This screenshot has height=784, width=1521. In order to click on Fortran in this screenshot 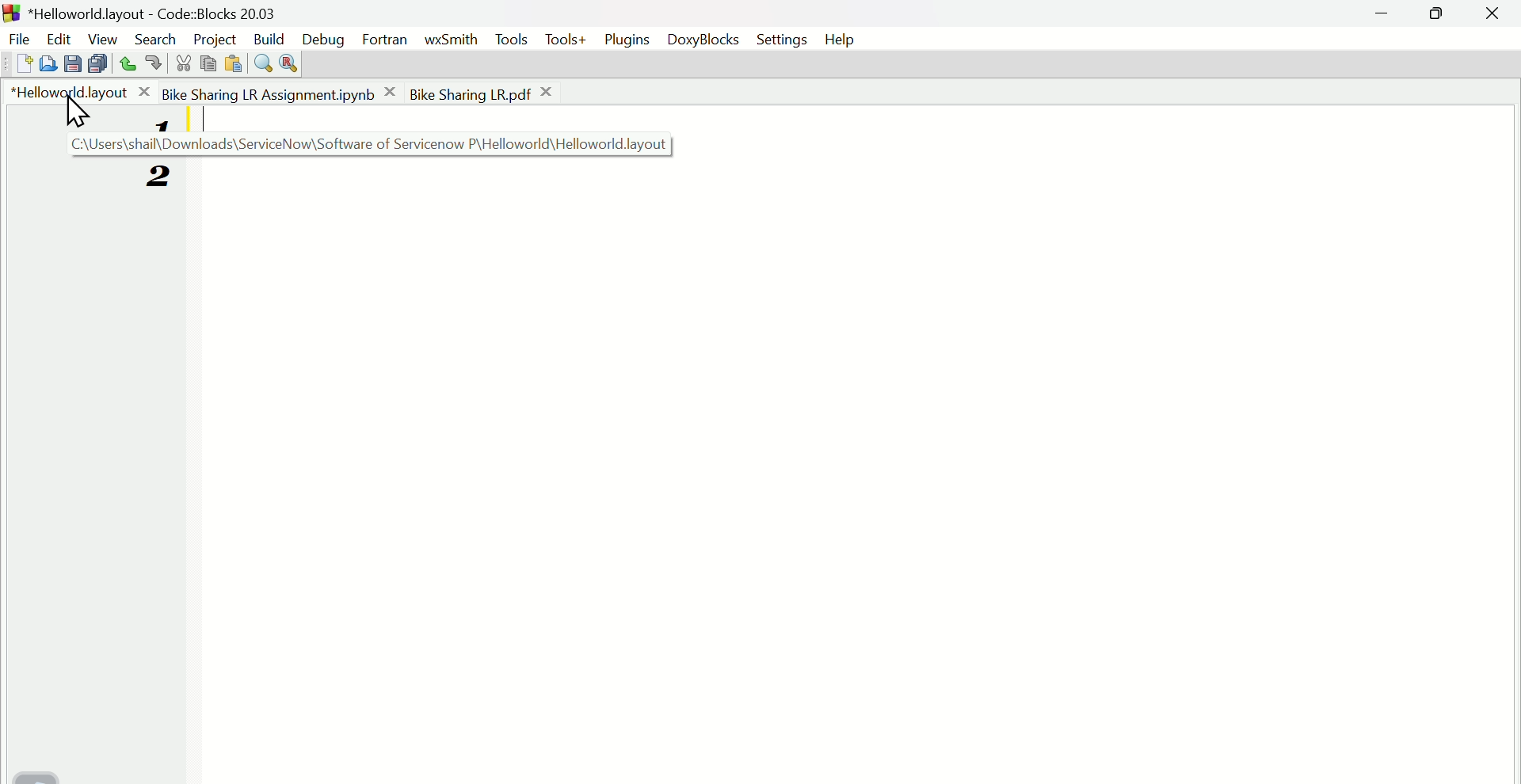, I will do `click(387, 41)`.